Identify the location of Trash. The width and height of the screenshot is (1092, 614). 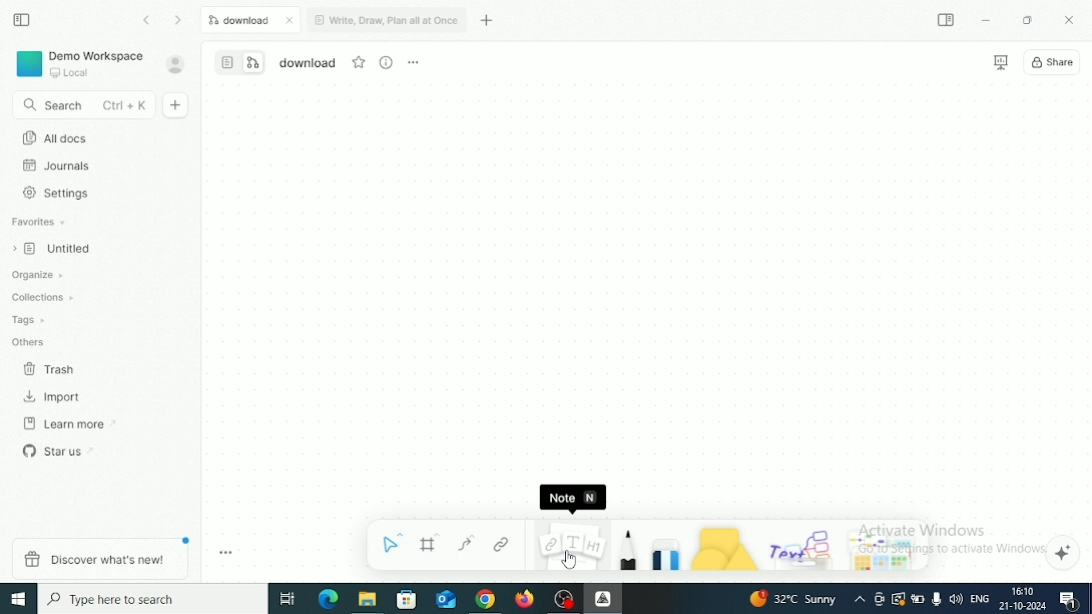
(51, 369).